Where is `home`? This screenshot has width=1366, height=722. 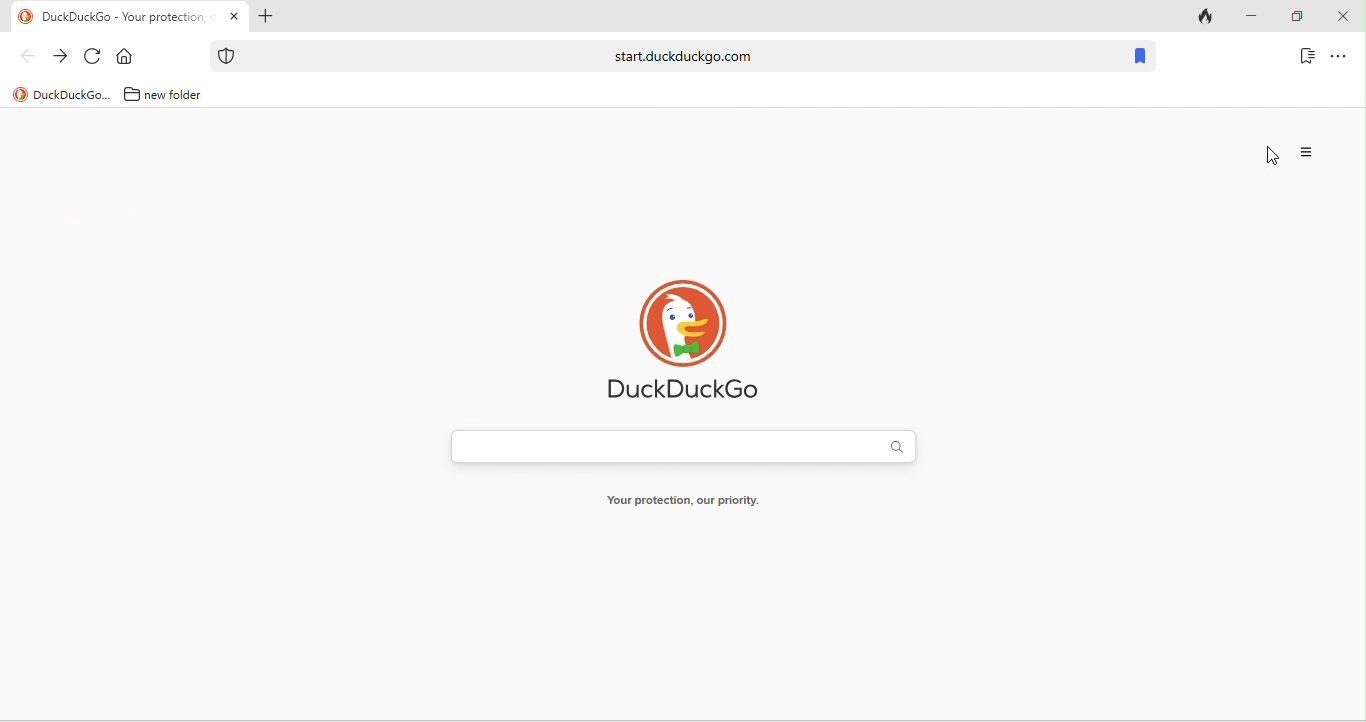 home is located at coordinates (135, 53).